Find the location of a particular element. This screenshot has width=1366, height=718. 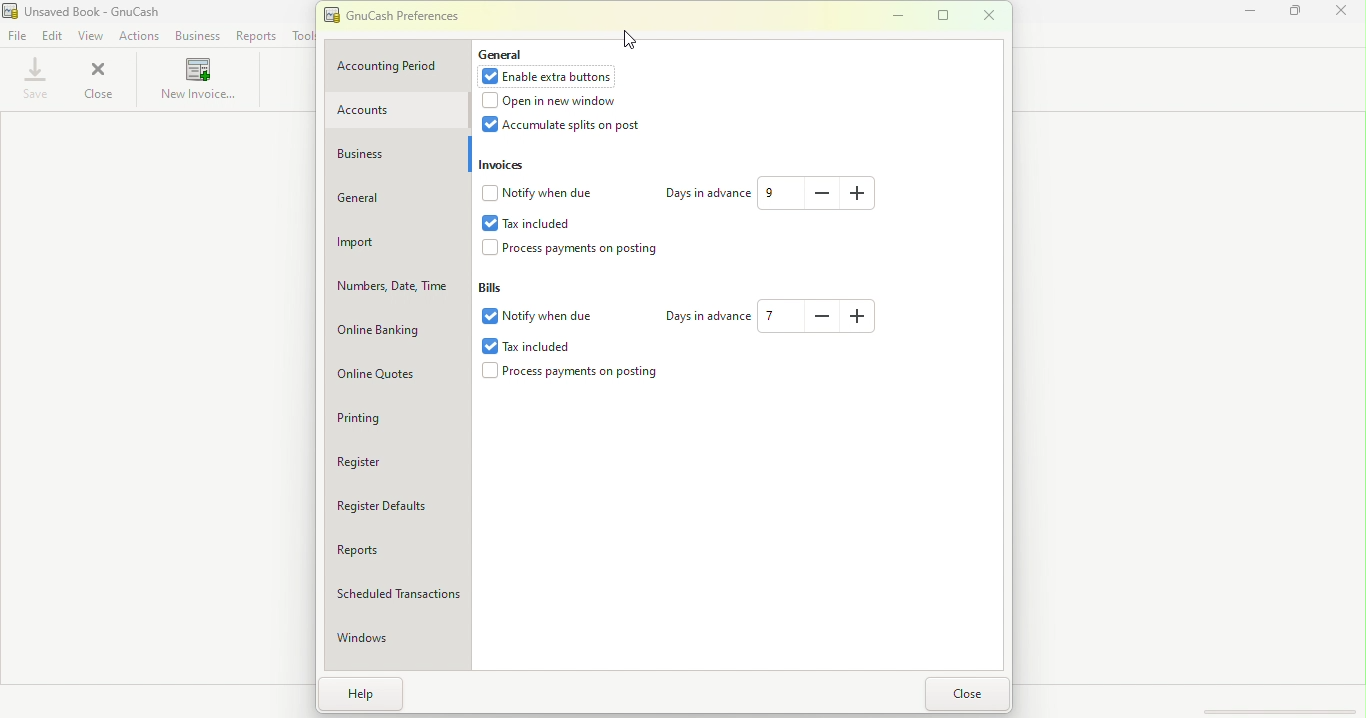

General is located at coordinates (397, 200).